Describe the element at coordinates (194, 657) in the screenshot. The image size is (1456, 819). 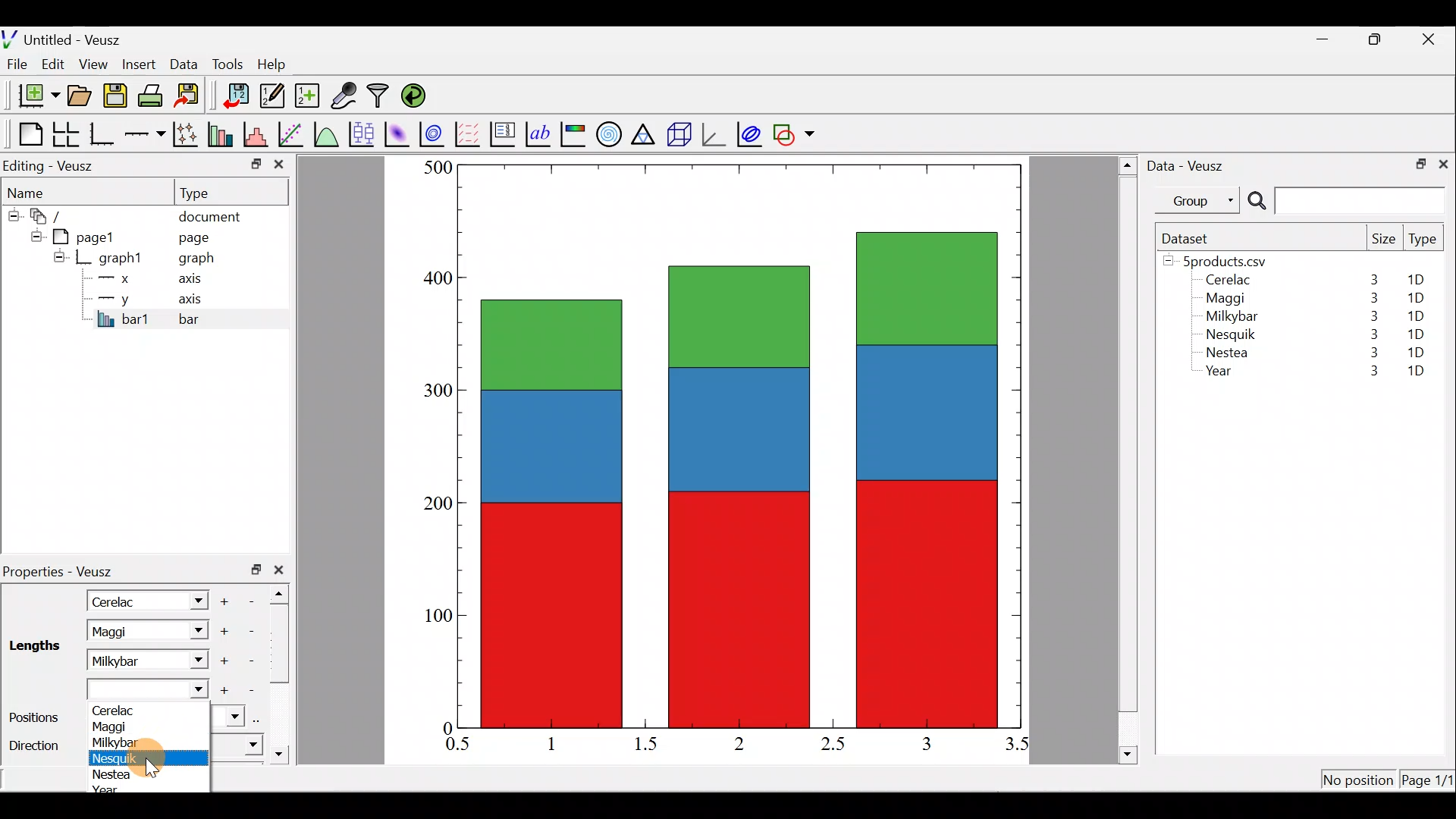
I see `Length dropdown` at that location.